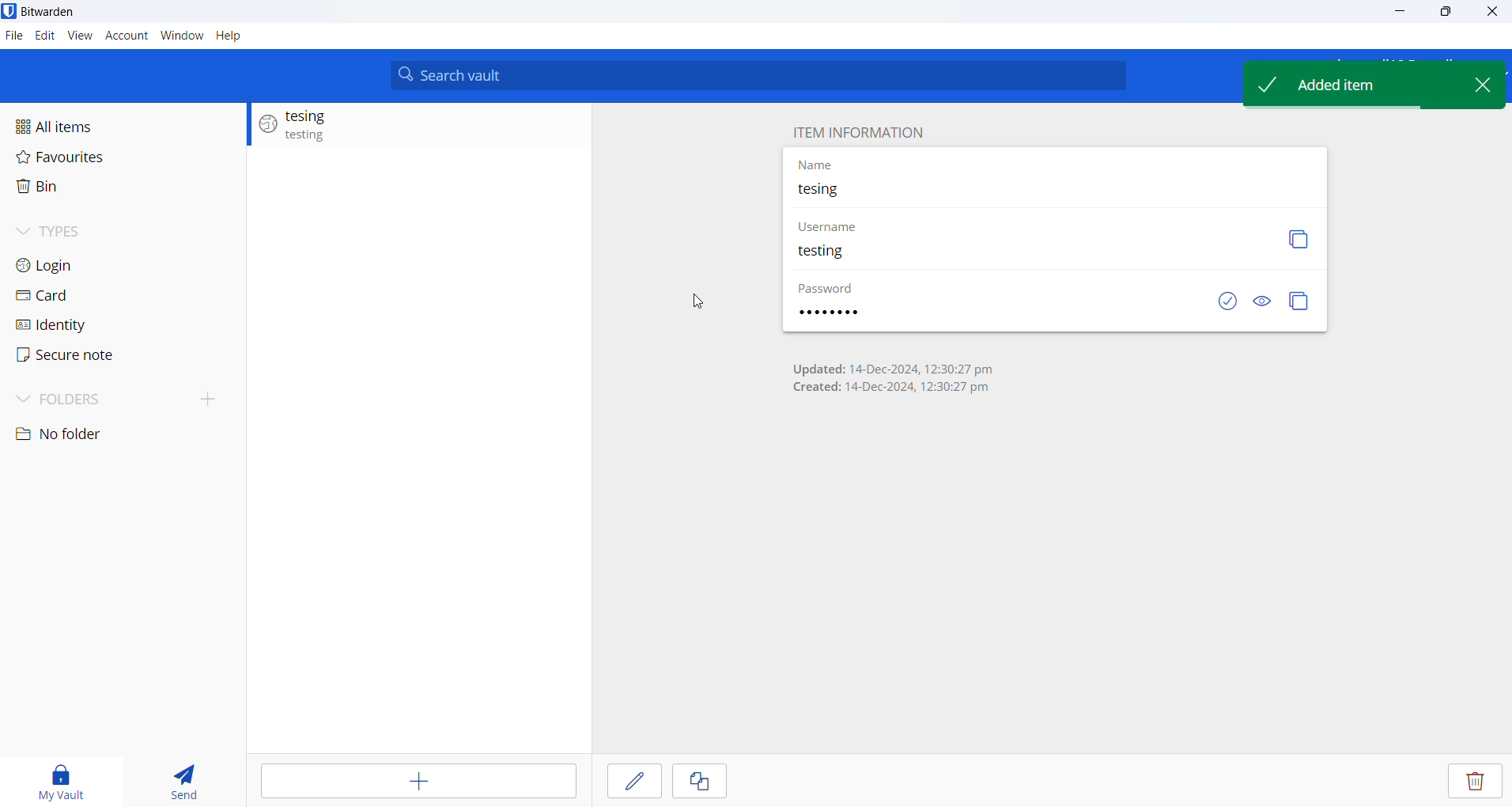 The width and height of the screenshot is (1512, 807). I want to click on types, so click(98, 237).